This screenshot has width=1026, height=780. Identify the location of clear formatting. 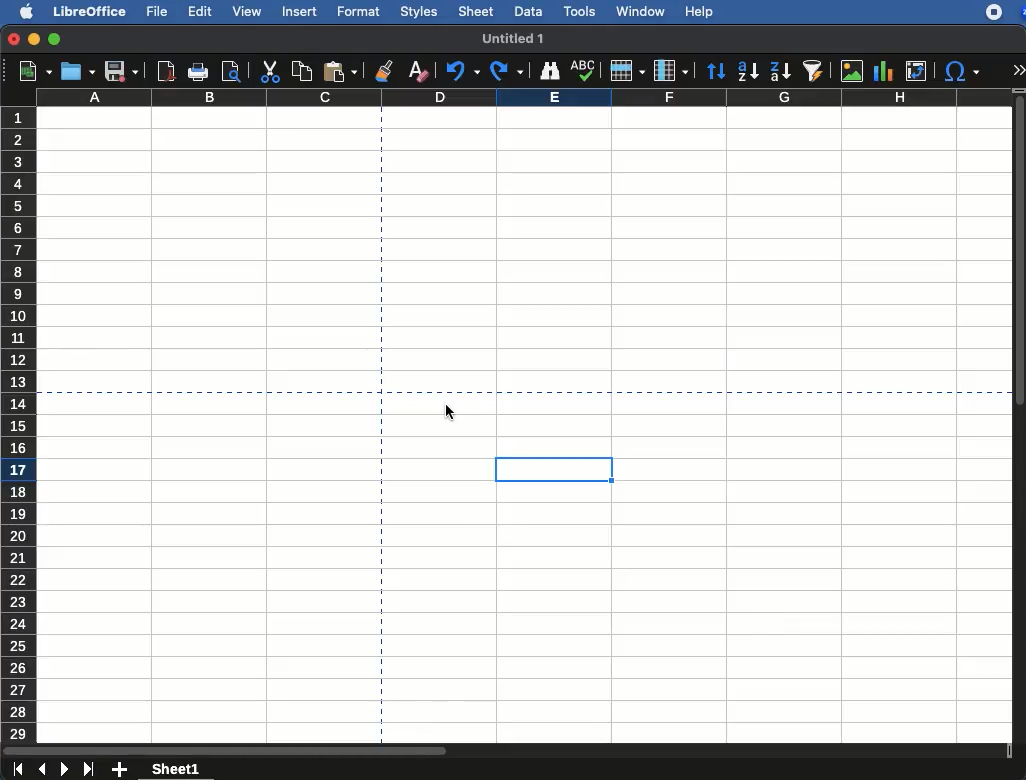
(417, 68).